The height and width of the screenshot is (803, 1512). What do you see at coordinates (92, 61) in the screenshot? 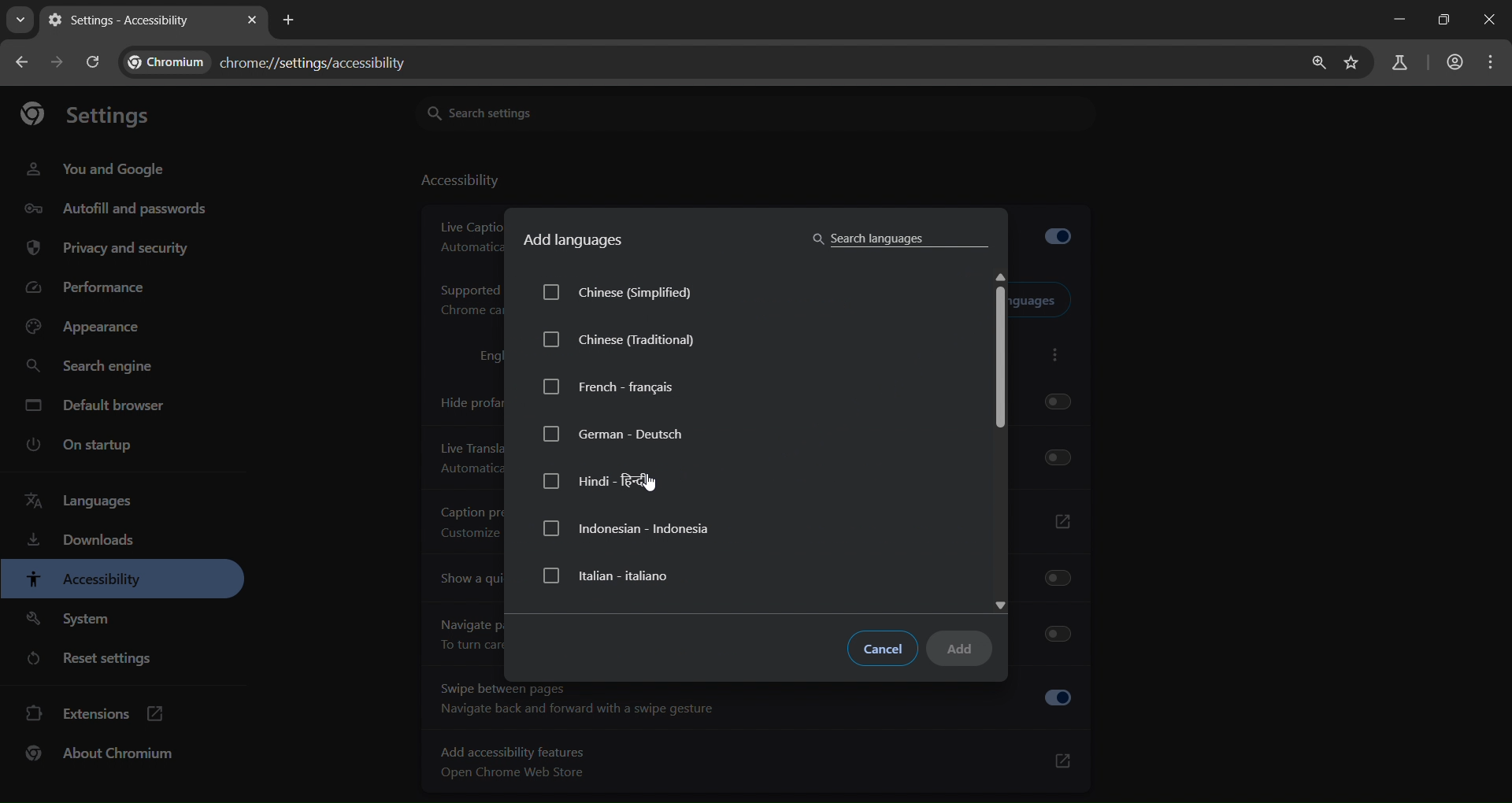
I see `reload page` at bounding box center [92, 61].